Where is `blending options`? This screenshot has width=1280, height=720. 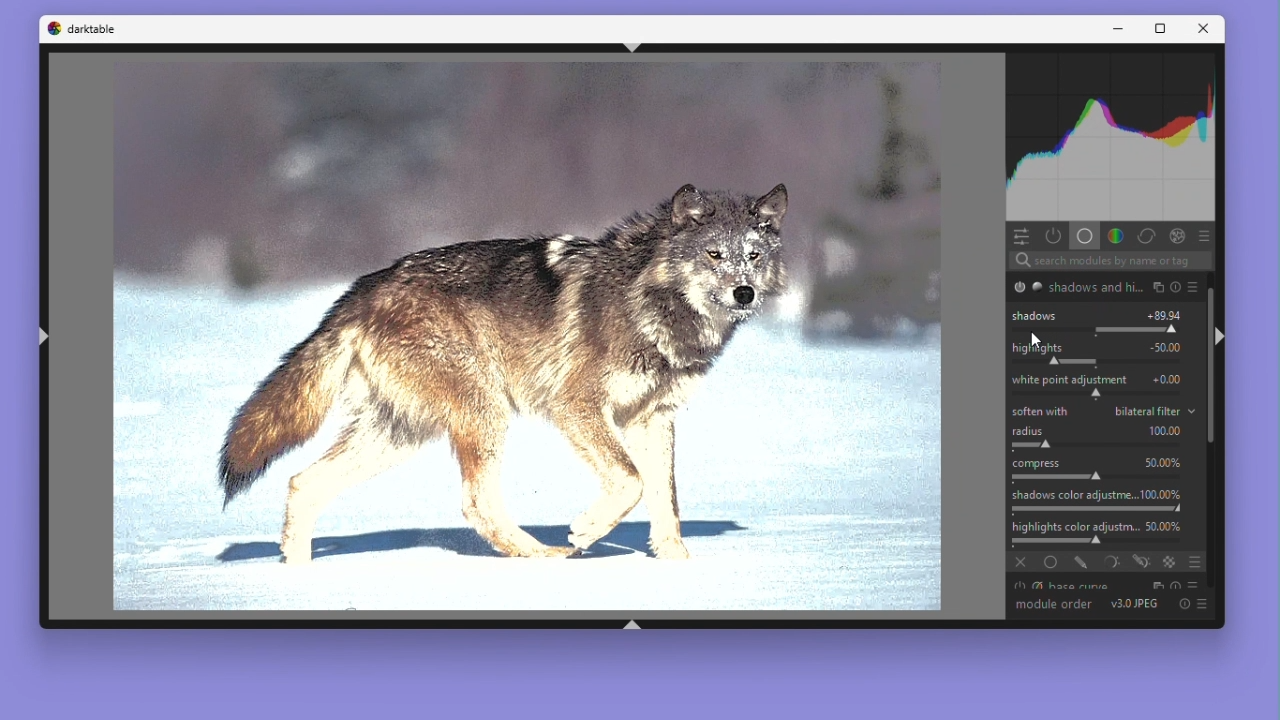 blending options is located at coordinates (1192, 563).